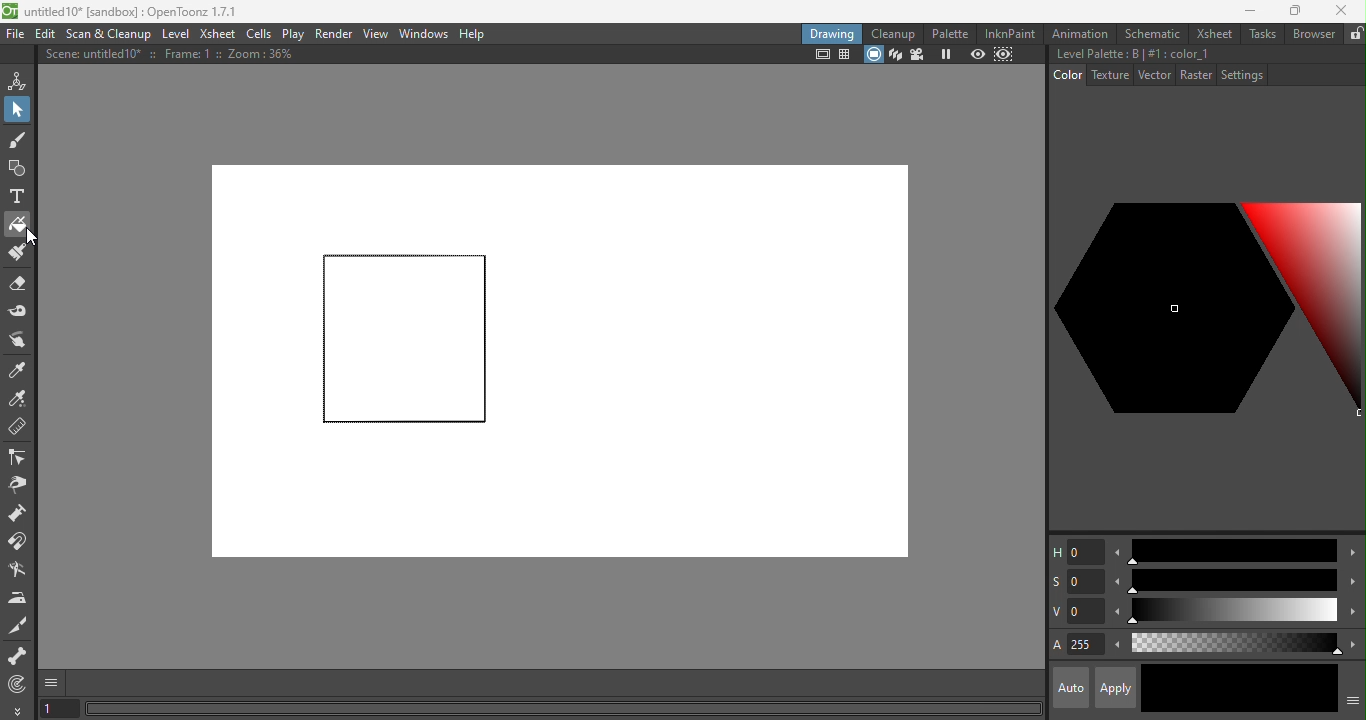 This screenshot has height=720, width=1366. What do you see at coordinates (20, 543) in the screenshot?
I see `Magnet tool` at bounding box center [20, 543].